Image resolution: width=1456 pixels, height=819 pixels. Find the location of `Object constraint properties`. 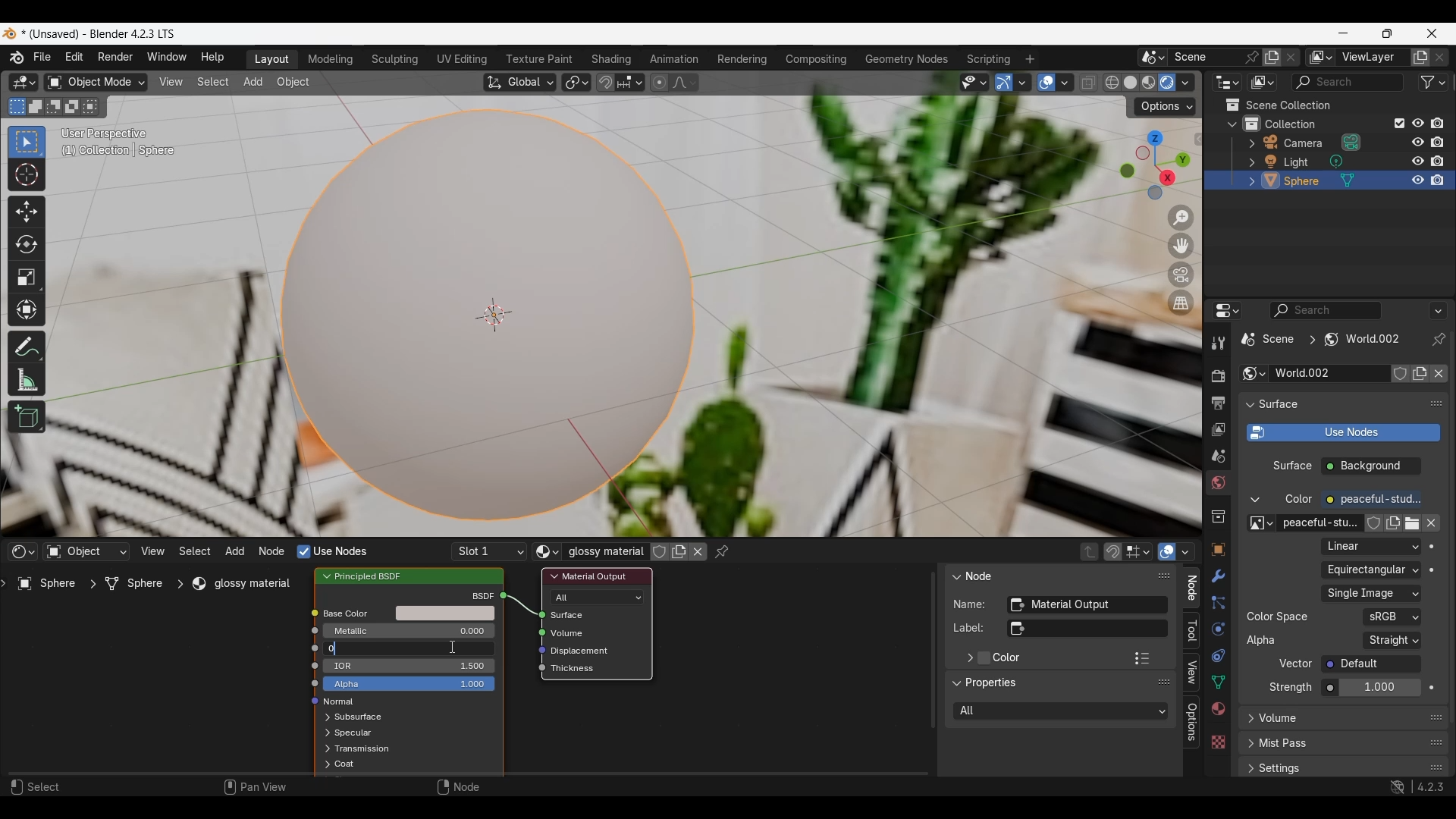

Object constraint properties is located at coordinates (1217, 655).